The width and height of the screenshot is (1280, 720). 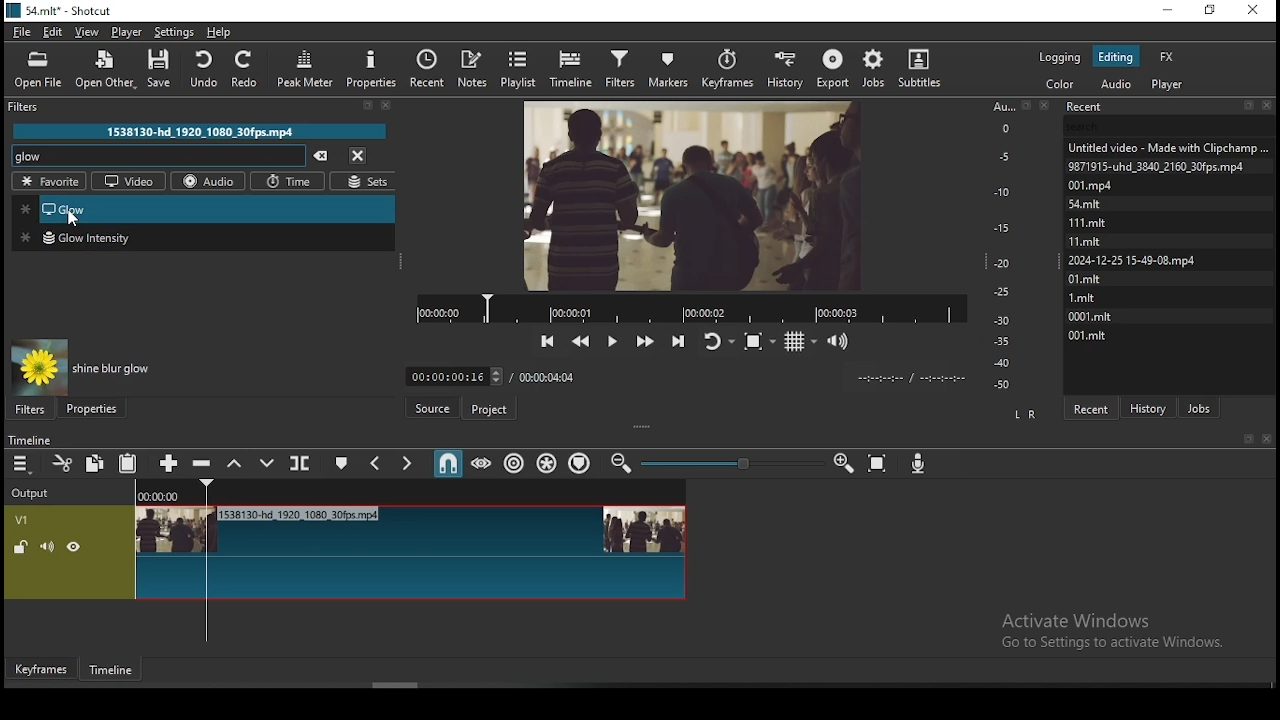 I want to click on record audio, so click(x=919, y=459).